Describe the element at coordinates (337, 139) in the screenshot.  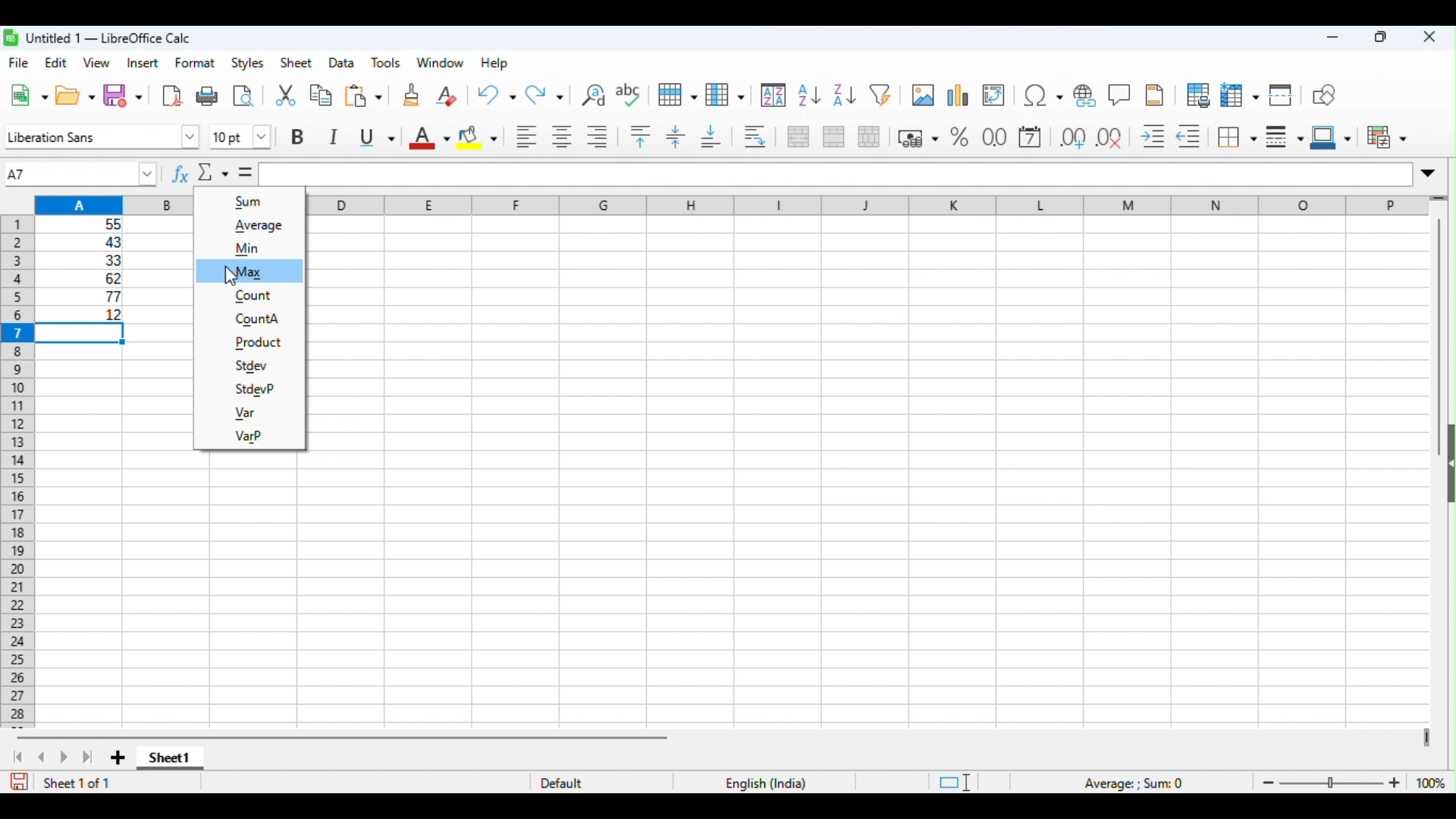
I see `italics` at that location.